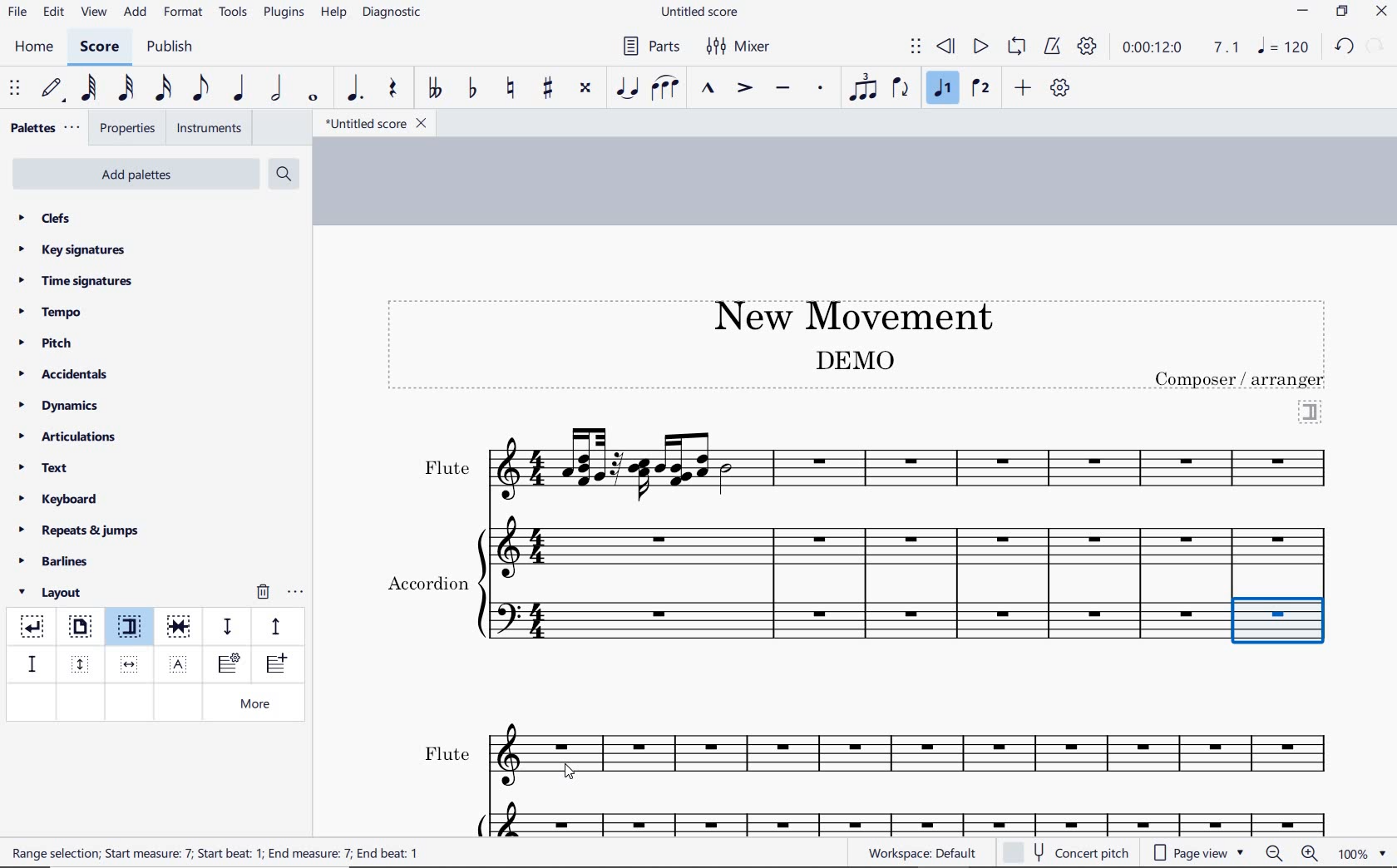  I want to click on eighth note, so click(200, 91).